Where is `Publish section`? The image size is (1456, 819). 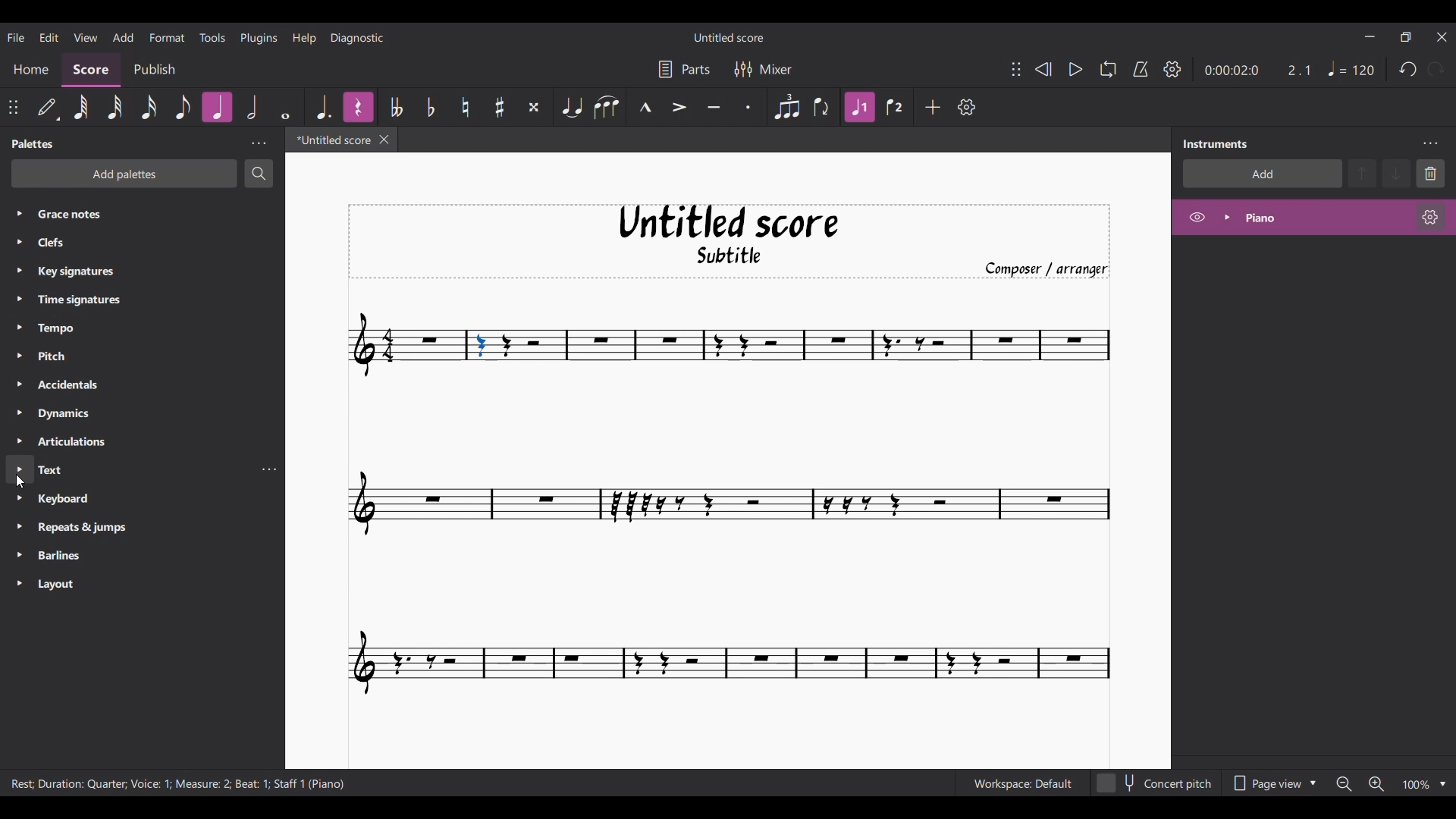
Publish section is located at coordinates (154, 71).